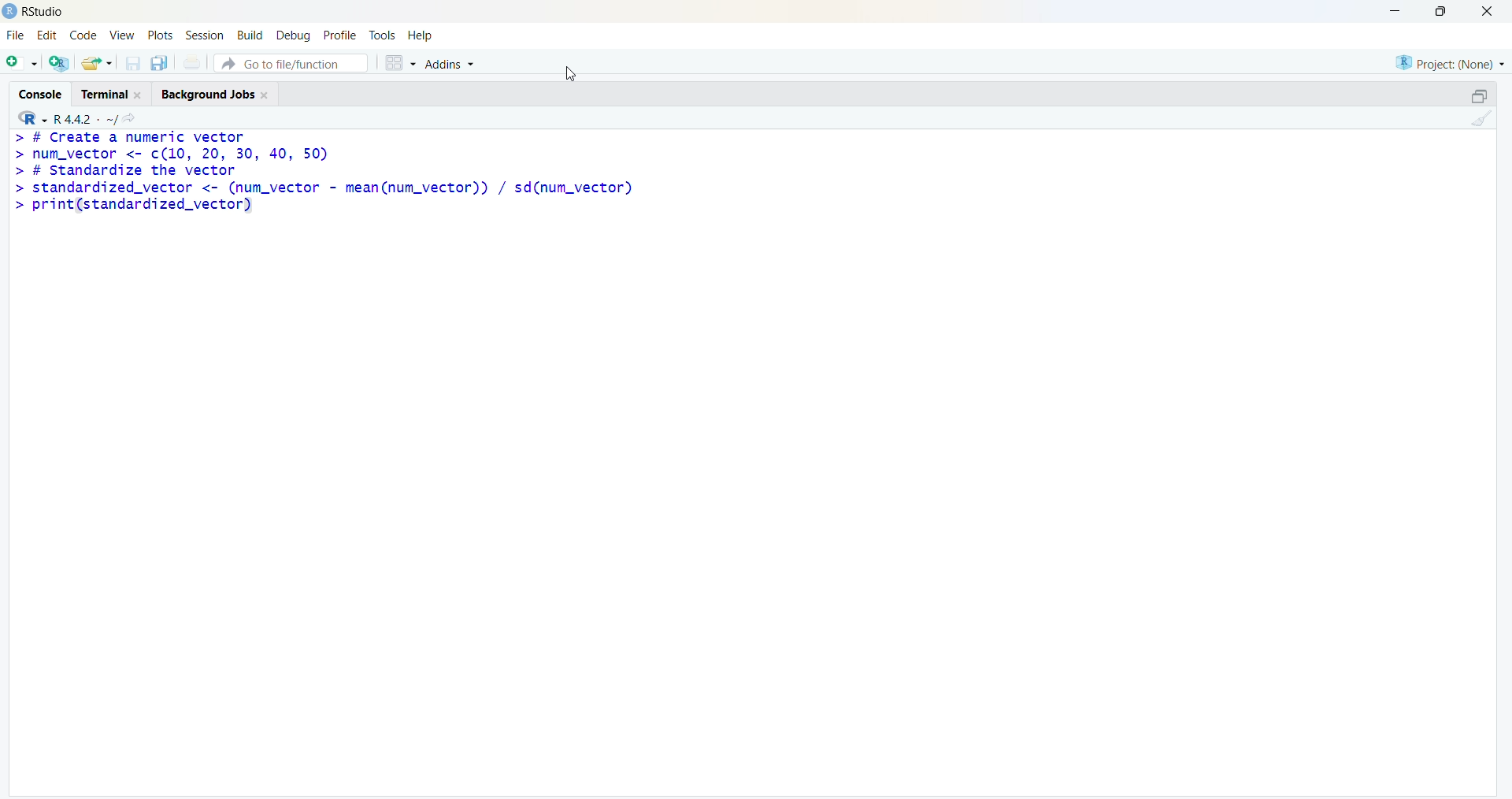  I want to click on logo, so click(11, 12).